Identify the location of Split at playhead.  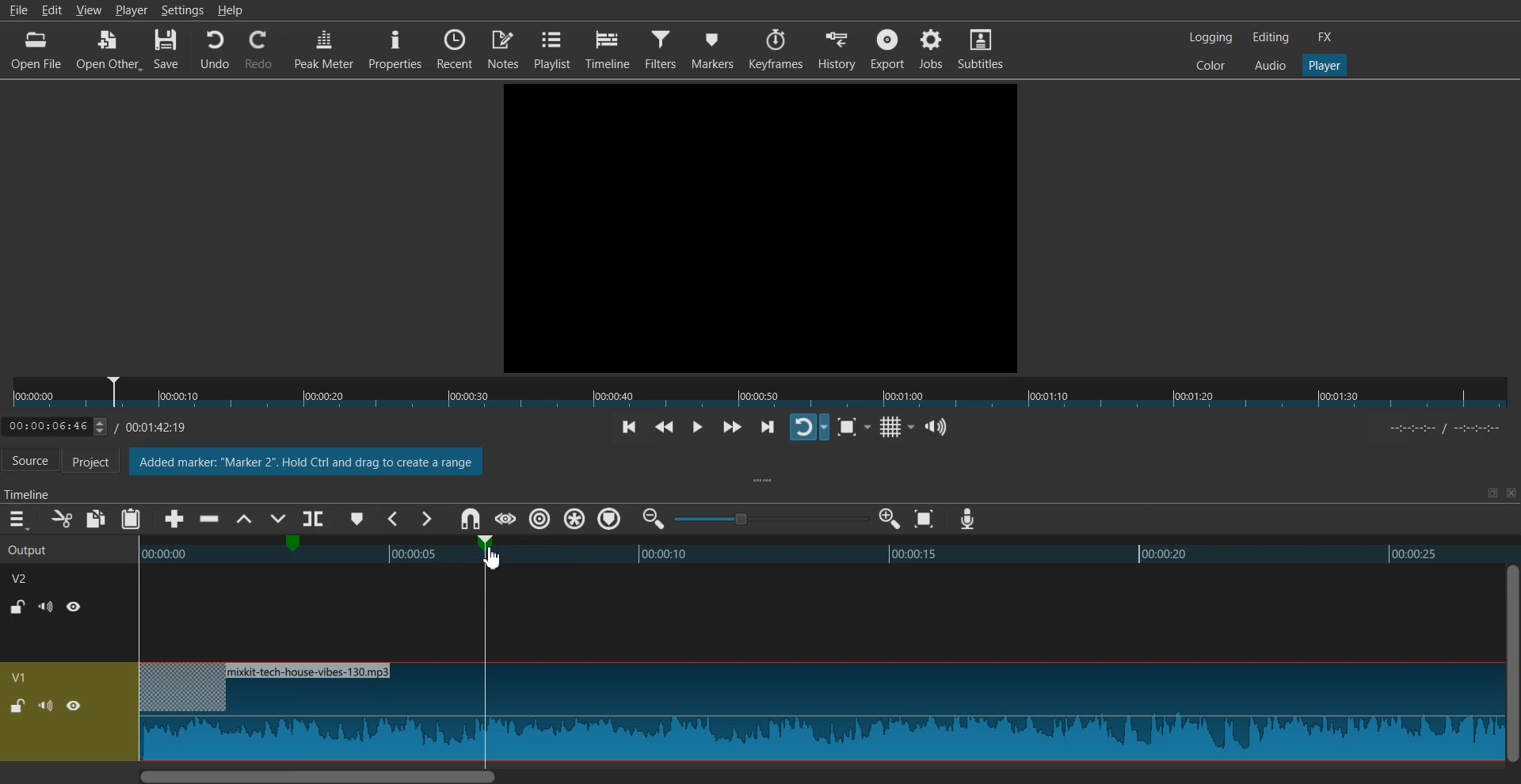
(316, 516).